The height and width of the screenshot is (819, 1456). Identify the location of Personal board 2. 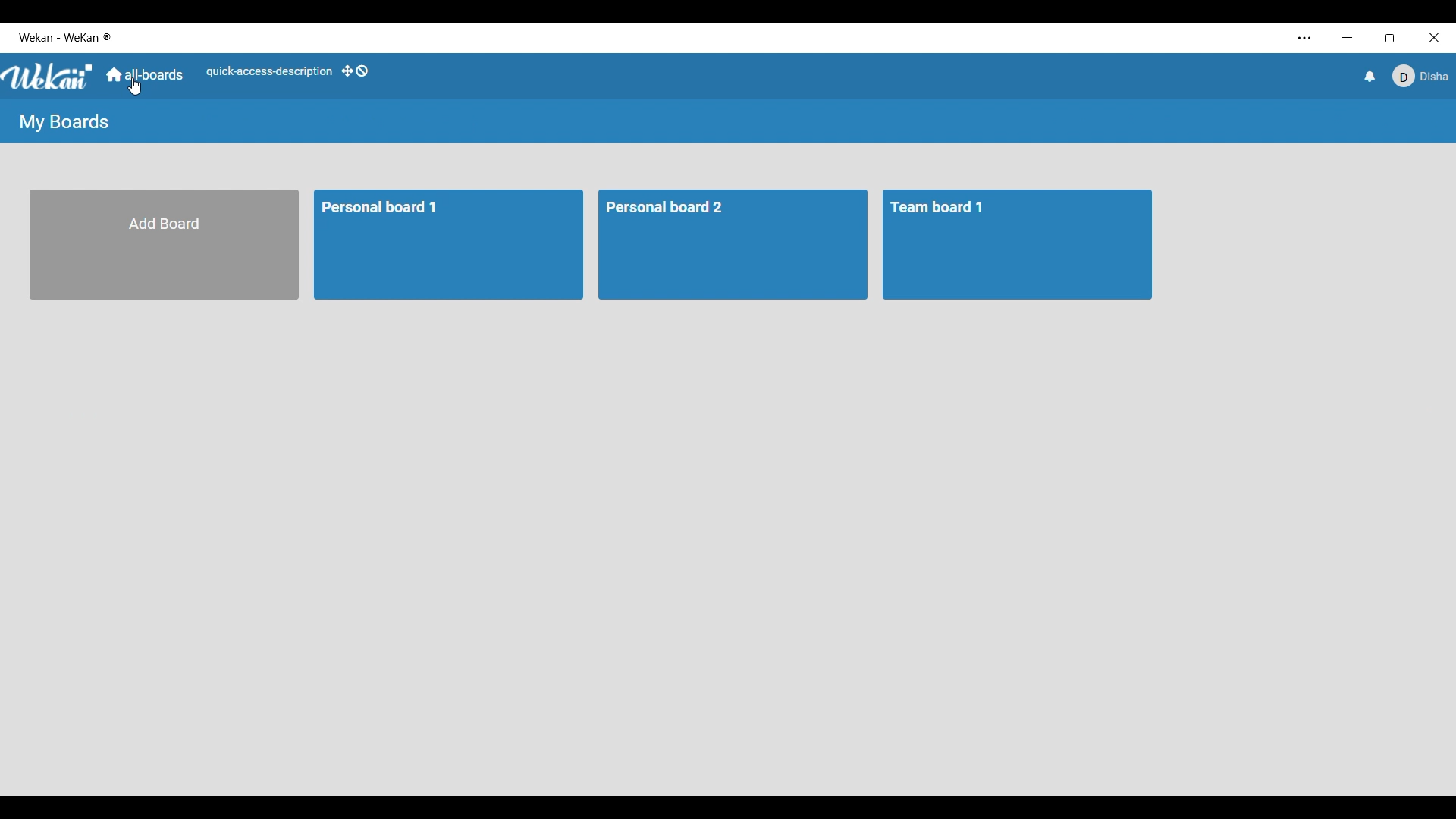
(686, 208).